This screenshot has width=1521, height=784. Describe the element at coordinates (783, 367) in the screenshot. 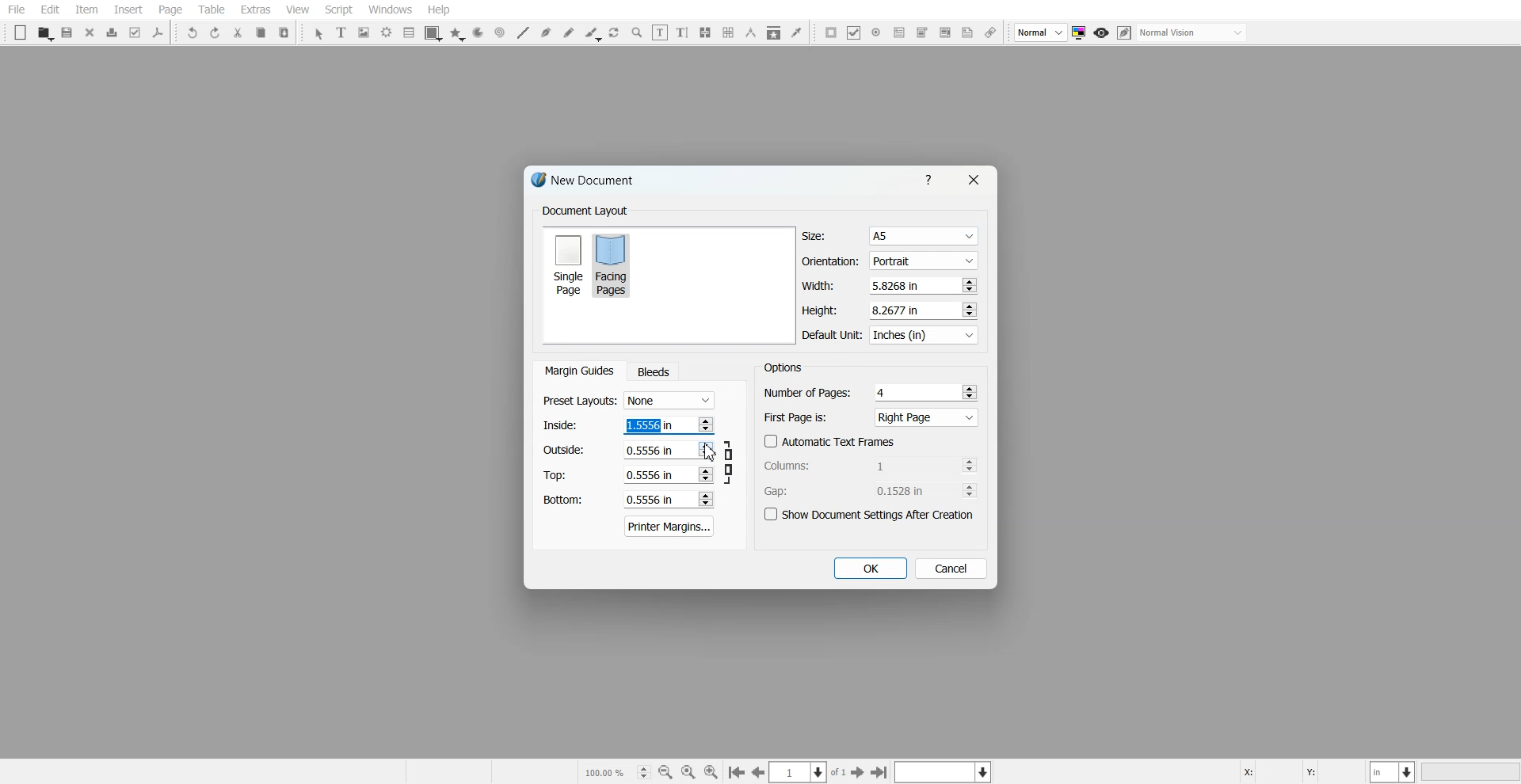

I see `Text` at that location.